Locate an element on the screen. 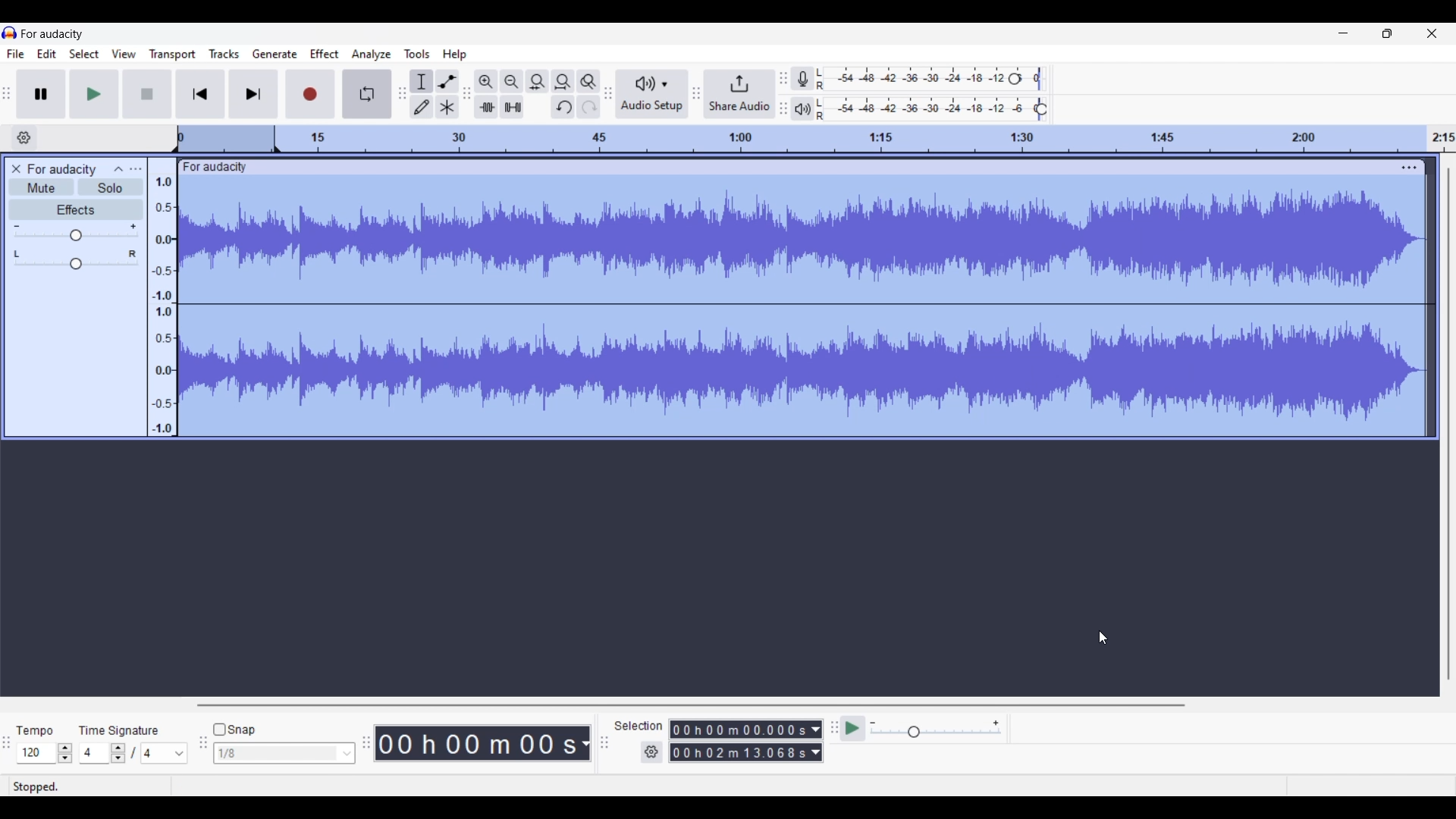 The image size is (1456, 819). Help menu is located at coordinates (454, 55).